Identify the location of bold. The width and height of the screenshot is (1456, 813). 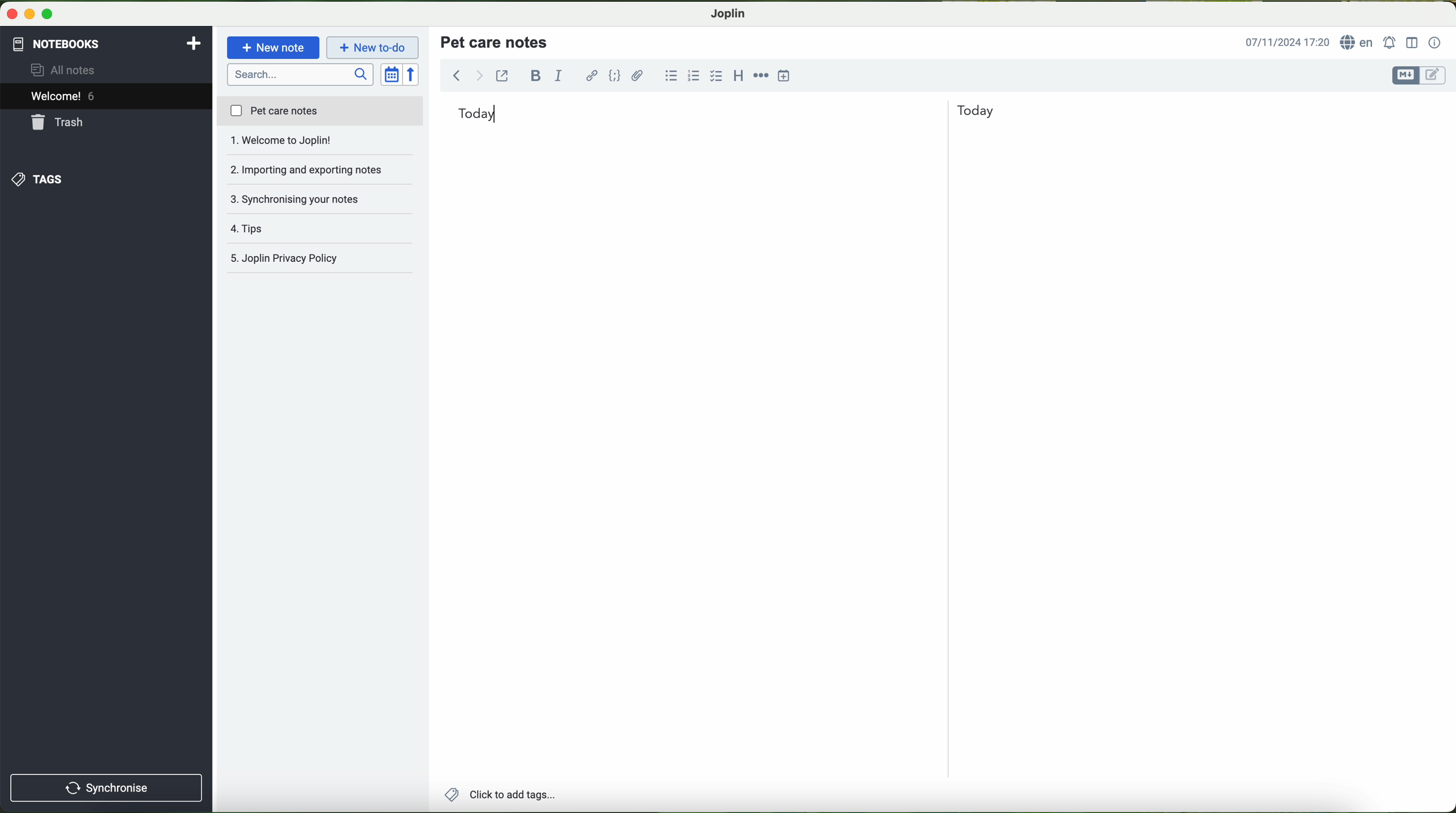
(536, 75).